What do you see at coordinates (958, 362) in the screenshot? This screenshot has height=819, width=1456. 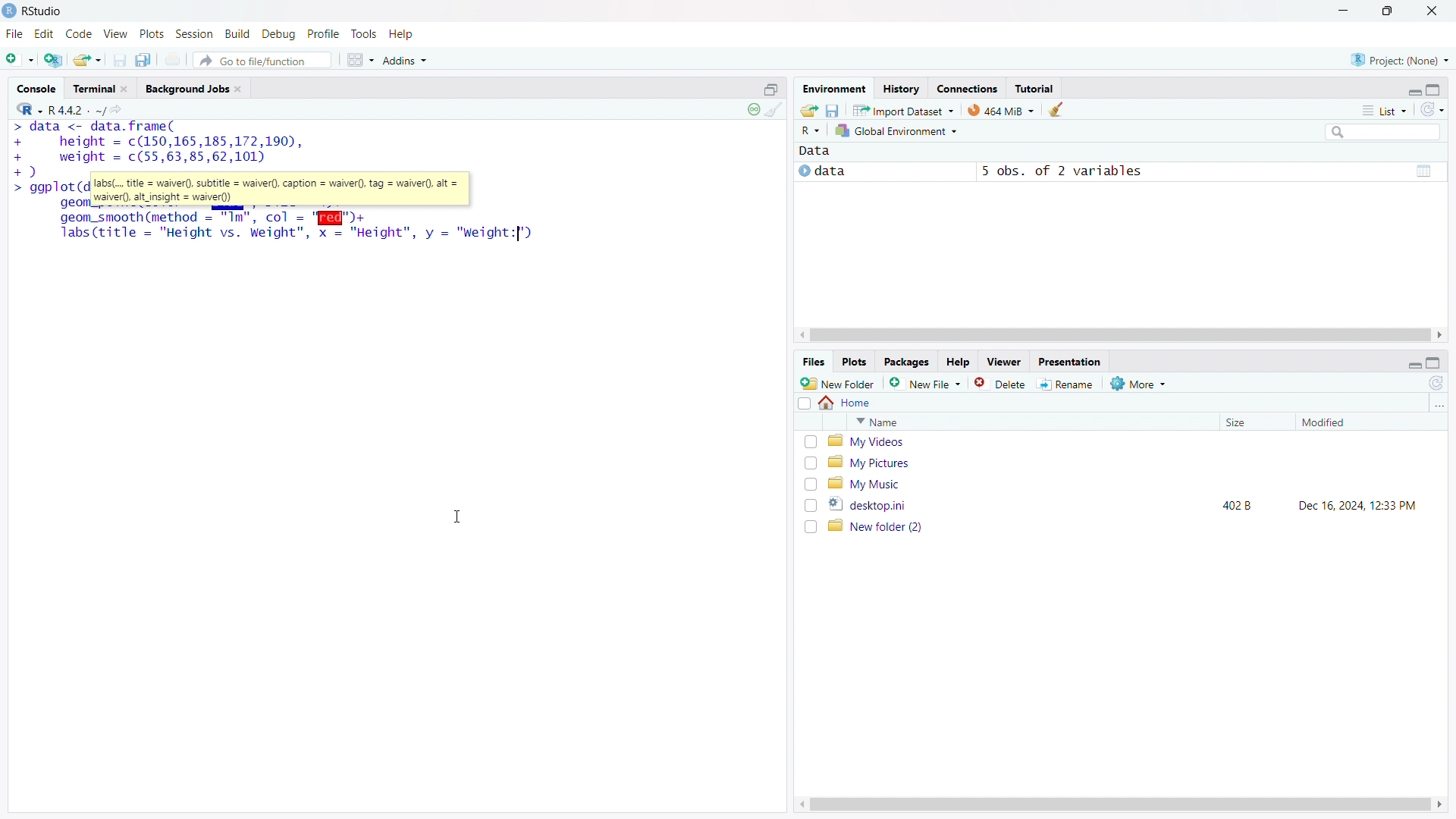 I see `help` at bounding box center [958, 362].